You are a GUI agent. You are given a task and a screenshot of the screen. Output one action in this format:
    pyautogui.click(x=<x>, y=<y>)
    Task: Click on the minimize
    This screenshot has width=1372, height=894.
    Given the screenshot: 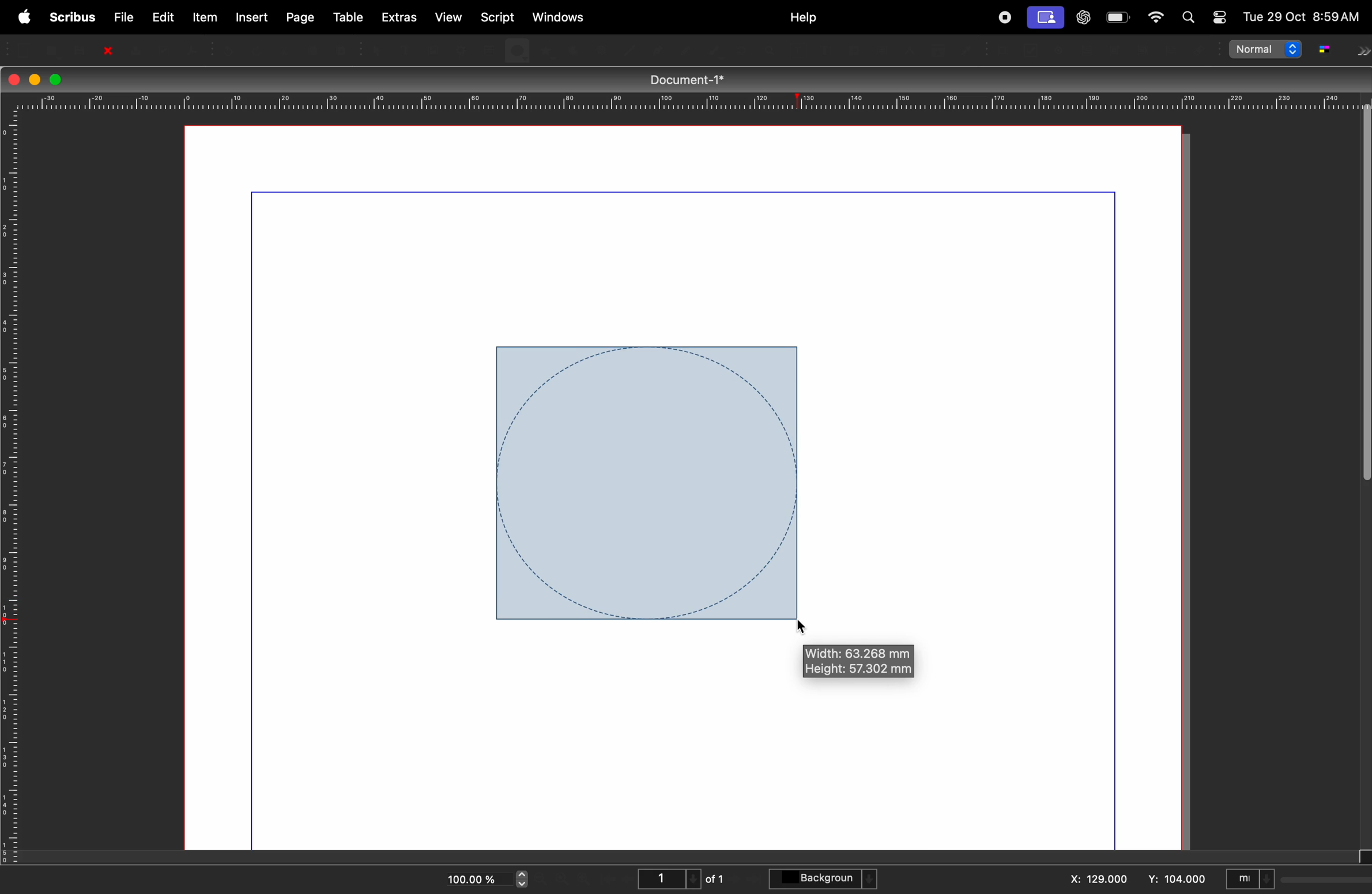 What is the action you would take?
    pyautogui.click(x=33, y=78)
    